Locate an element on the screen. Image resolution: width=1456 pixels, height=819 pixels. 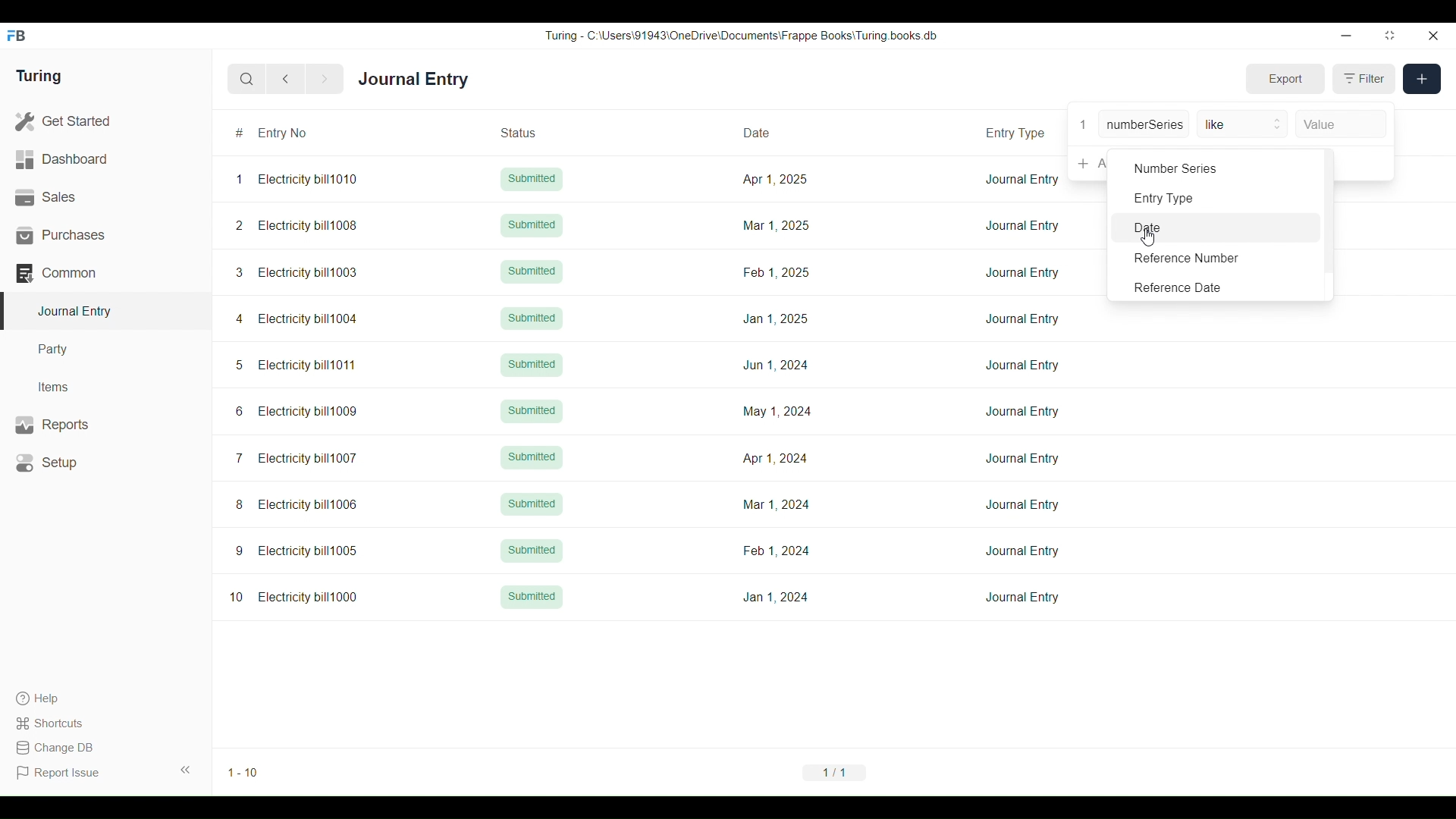
Status is located at coordinates (536, 132).